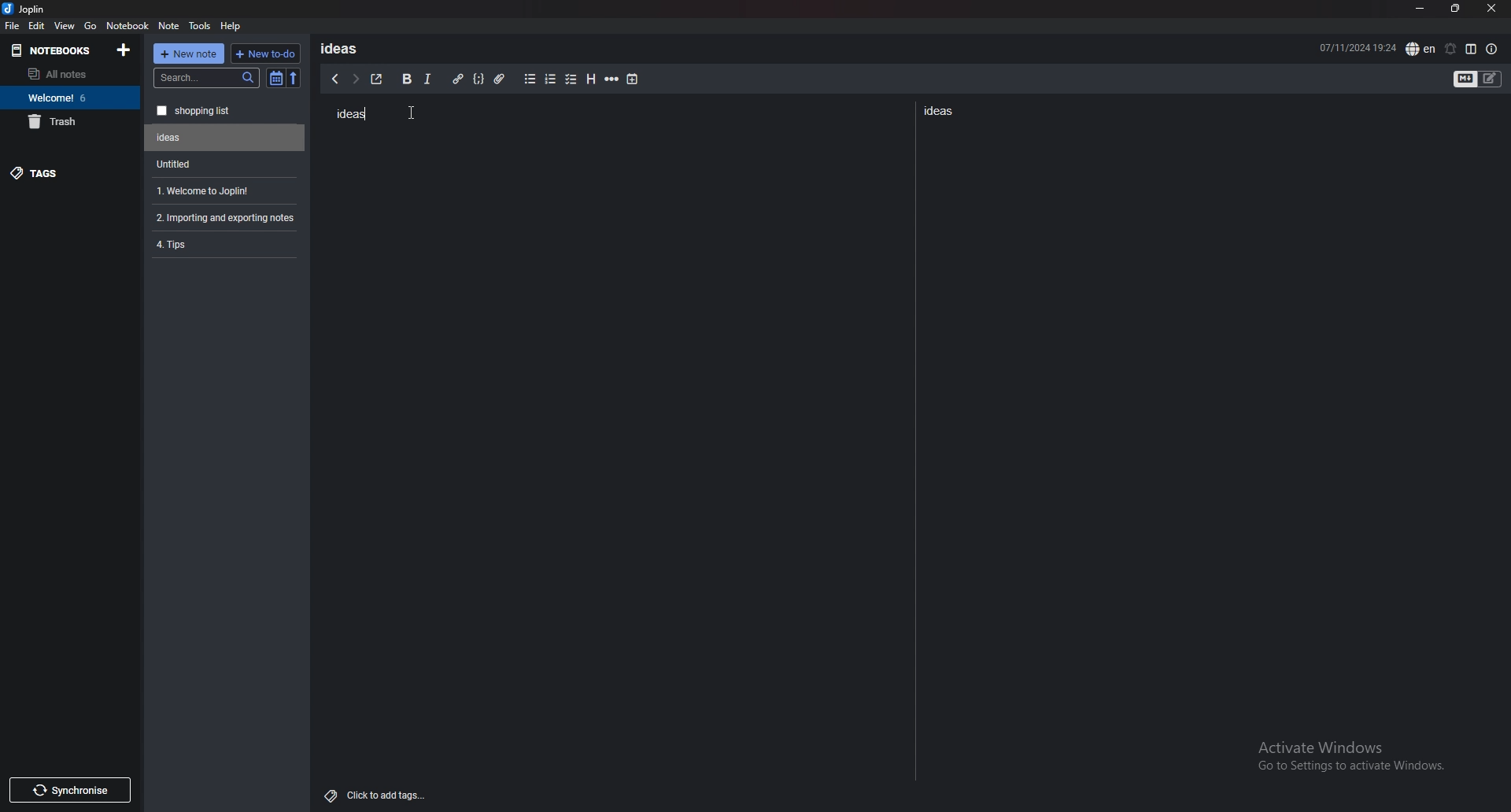  I want to click on Untitled, so click(225, 138).